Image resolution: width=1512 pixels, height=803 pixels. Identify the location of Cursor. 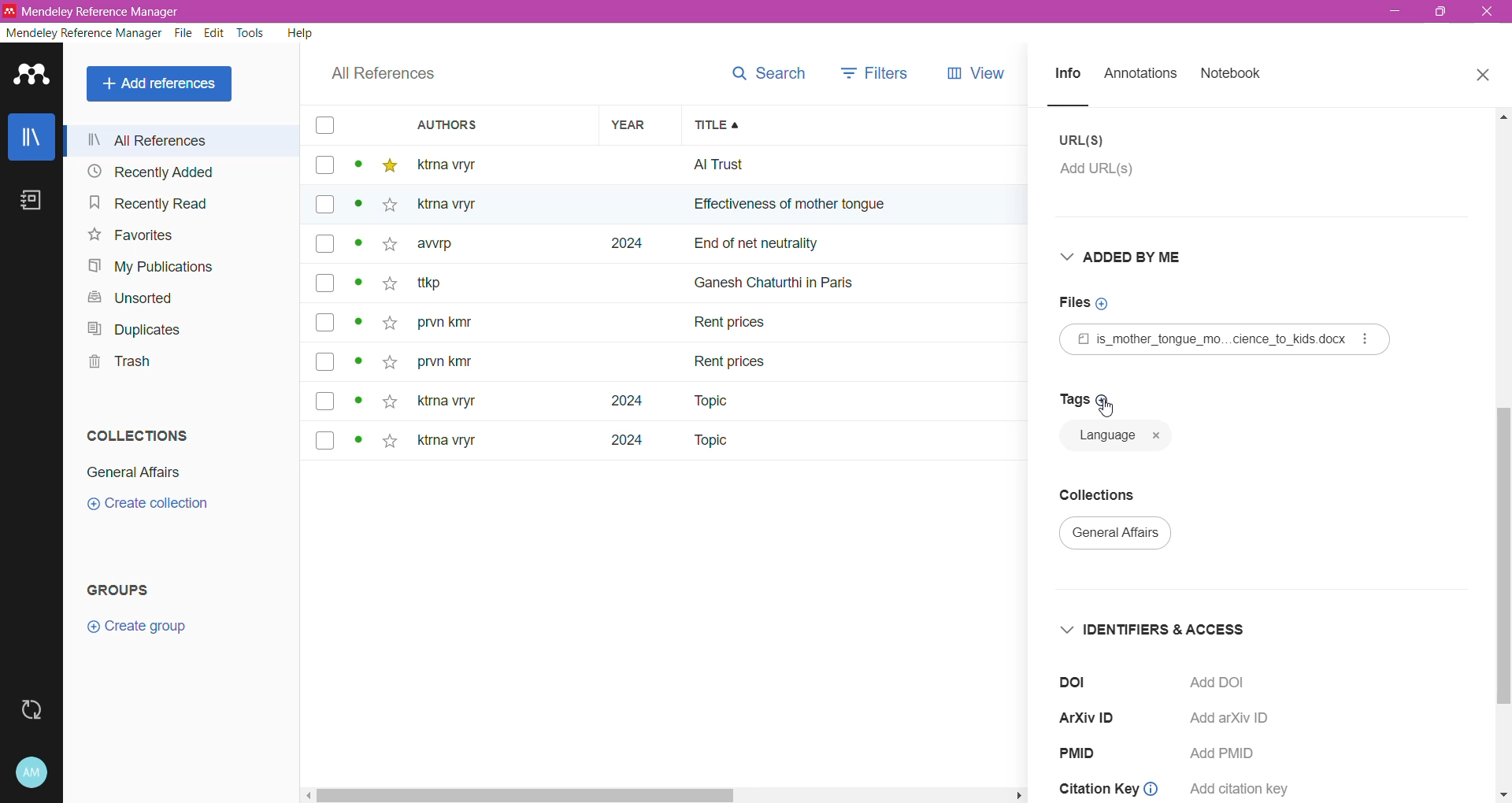
(1107, 407).